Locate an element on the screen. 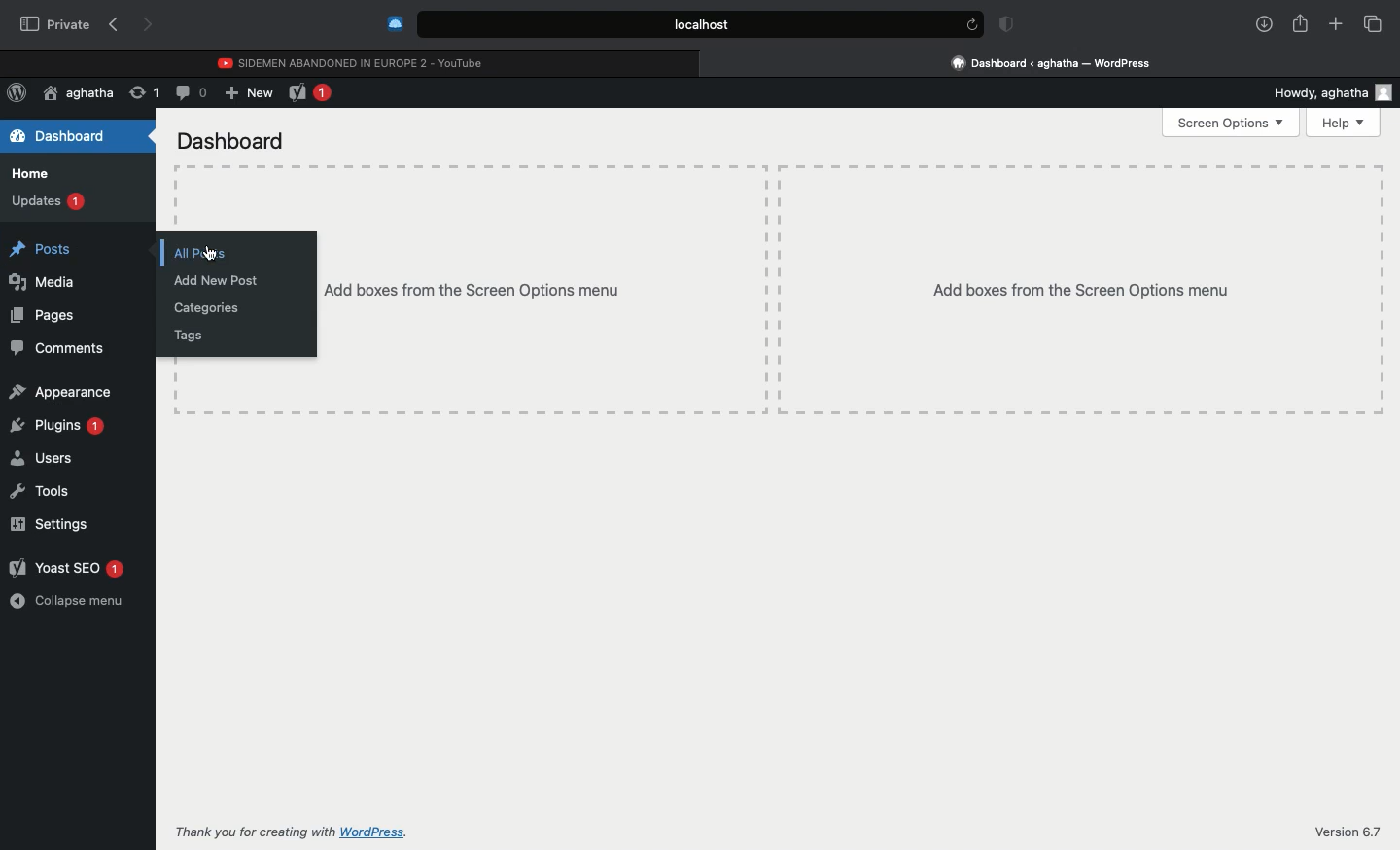 The image size is (1400, 850). Posts is located at coordinates (43, 251).